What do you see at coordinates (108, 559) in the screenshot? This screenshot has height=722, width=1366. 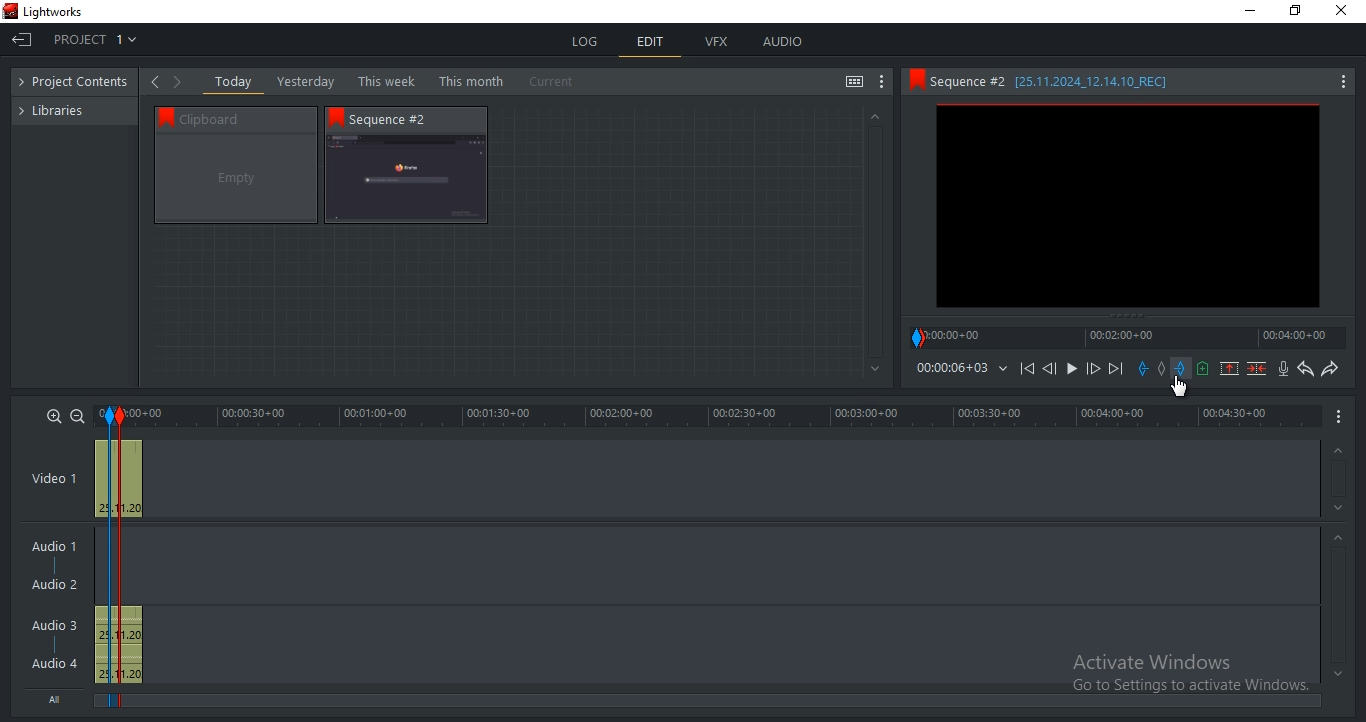 I see `in-point` at bounding box center [108, 559].